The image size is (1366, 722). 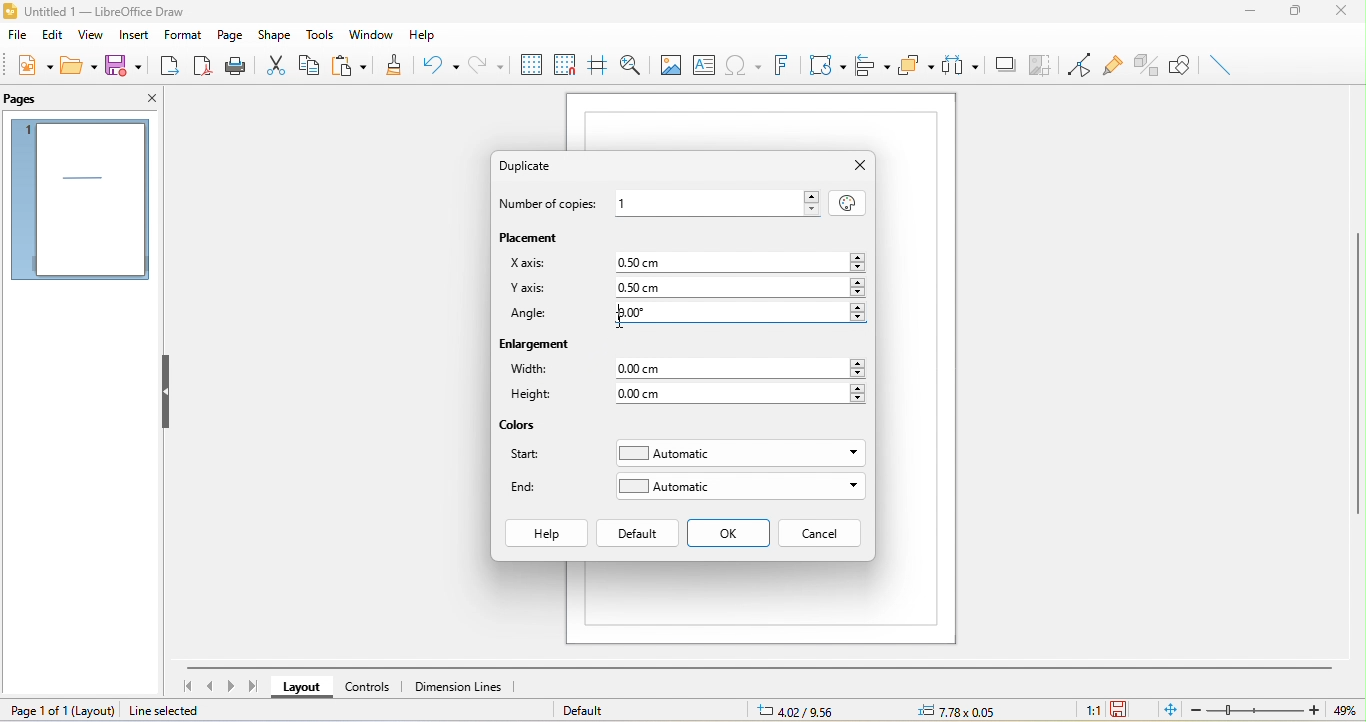 What do you see at coordinates (19, 34) in the screenshot?
I see `file` at bounding box center [19, 34].